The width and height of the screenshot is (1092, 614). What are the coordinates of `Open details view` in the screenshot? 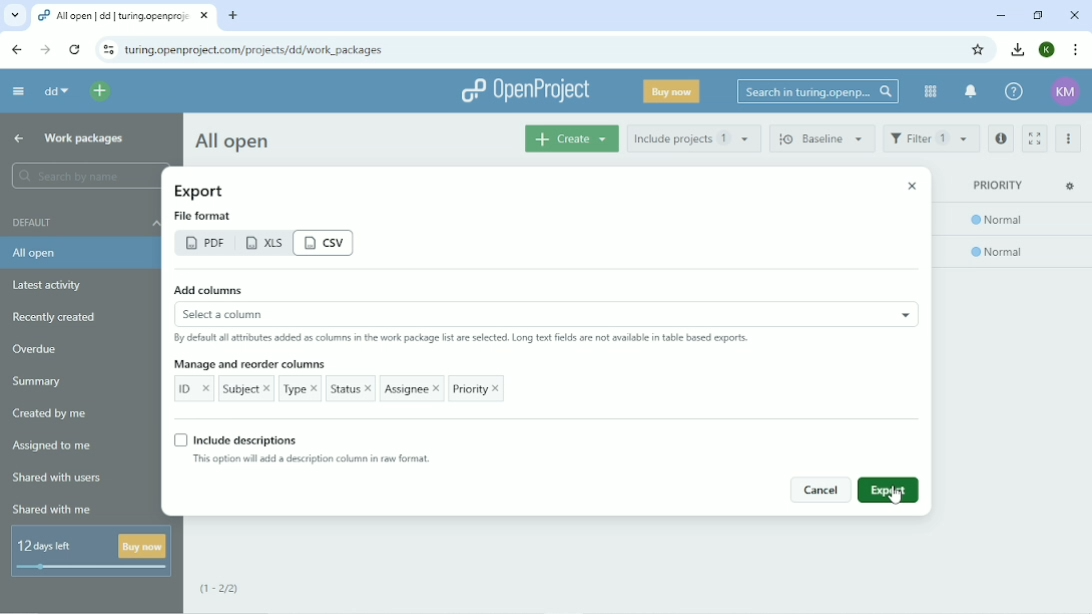 It's located at (1002, 139).